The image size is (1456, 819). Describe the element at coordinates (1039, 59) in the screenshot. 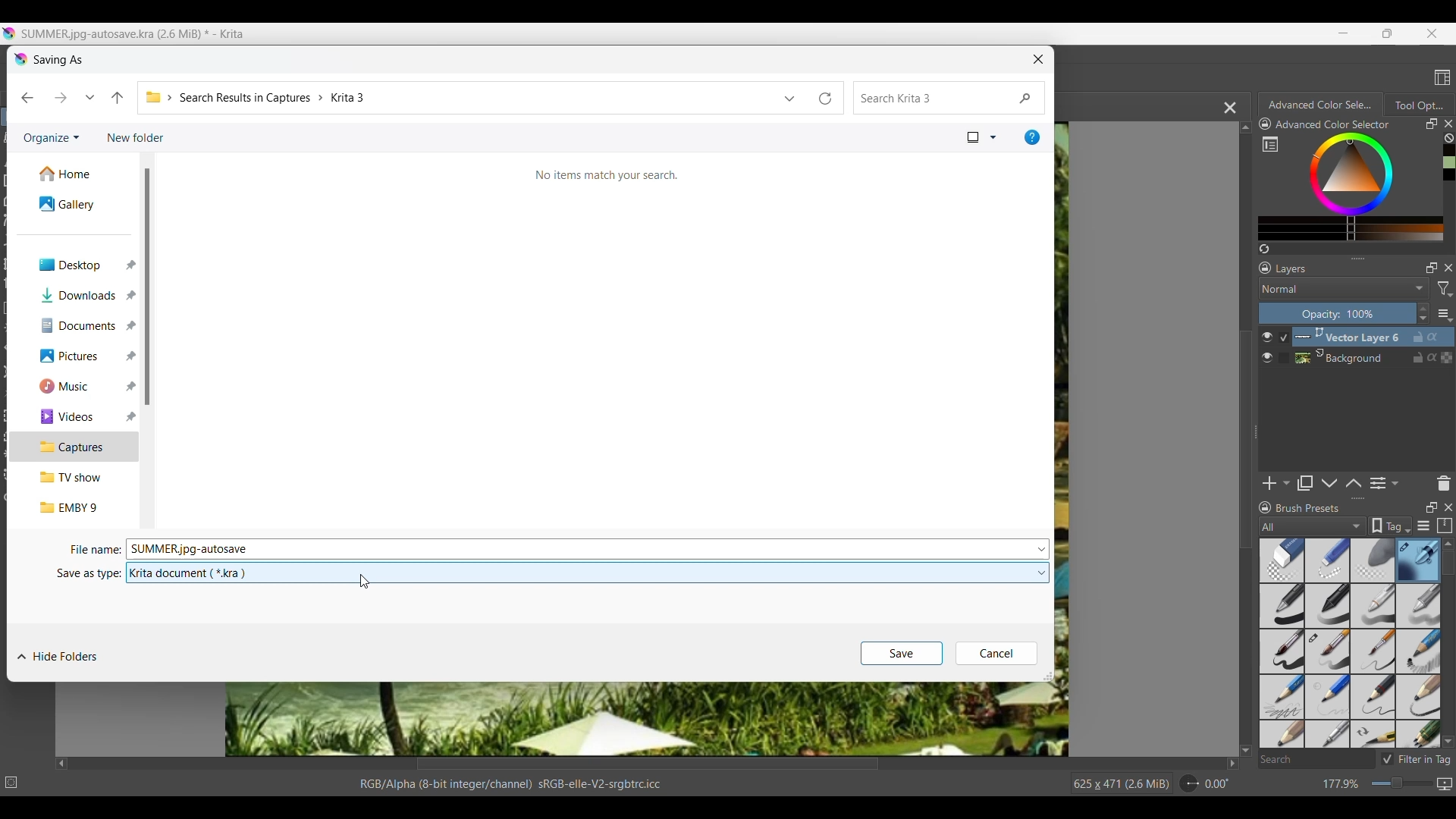

I see `Close window` at that location.